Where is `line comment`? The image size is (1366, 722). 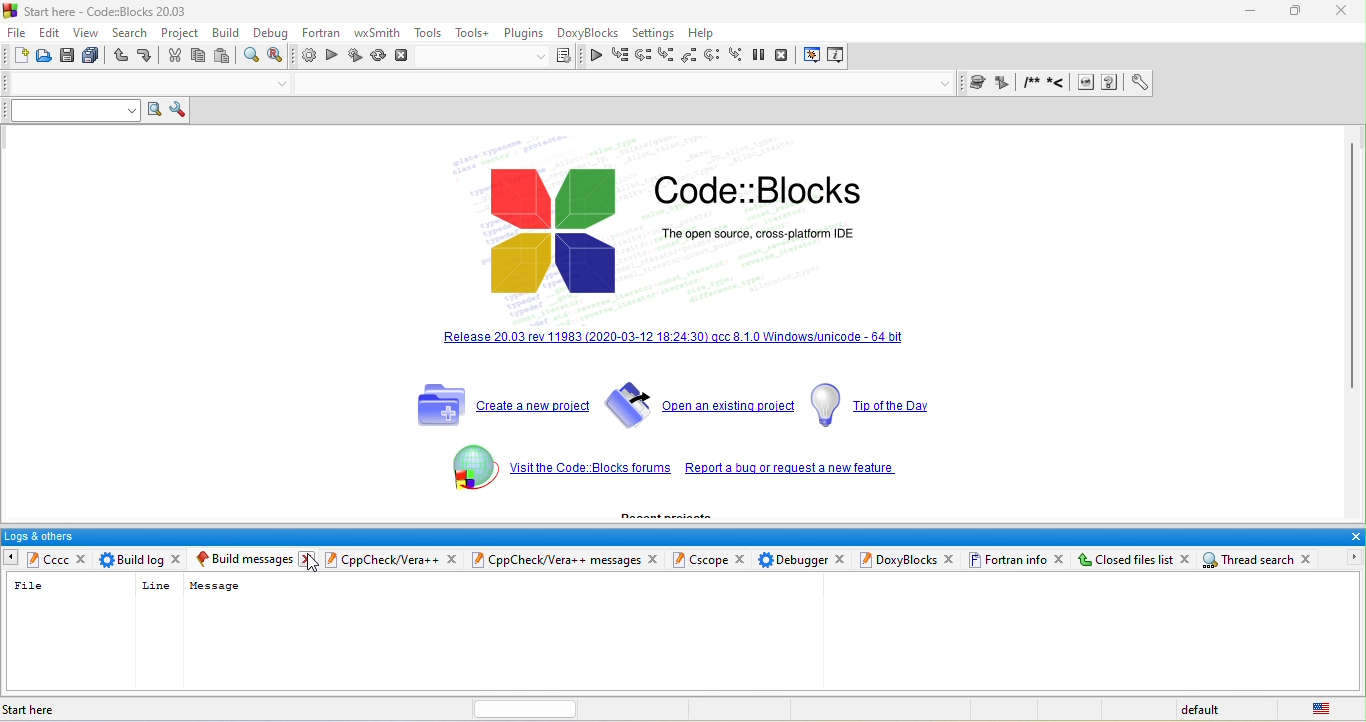 line comment is located at coordinates (1058, 83).